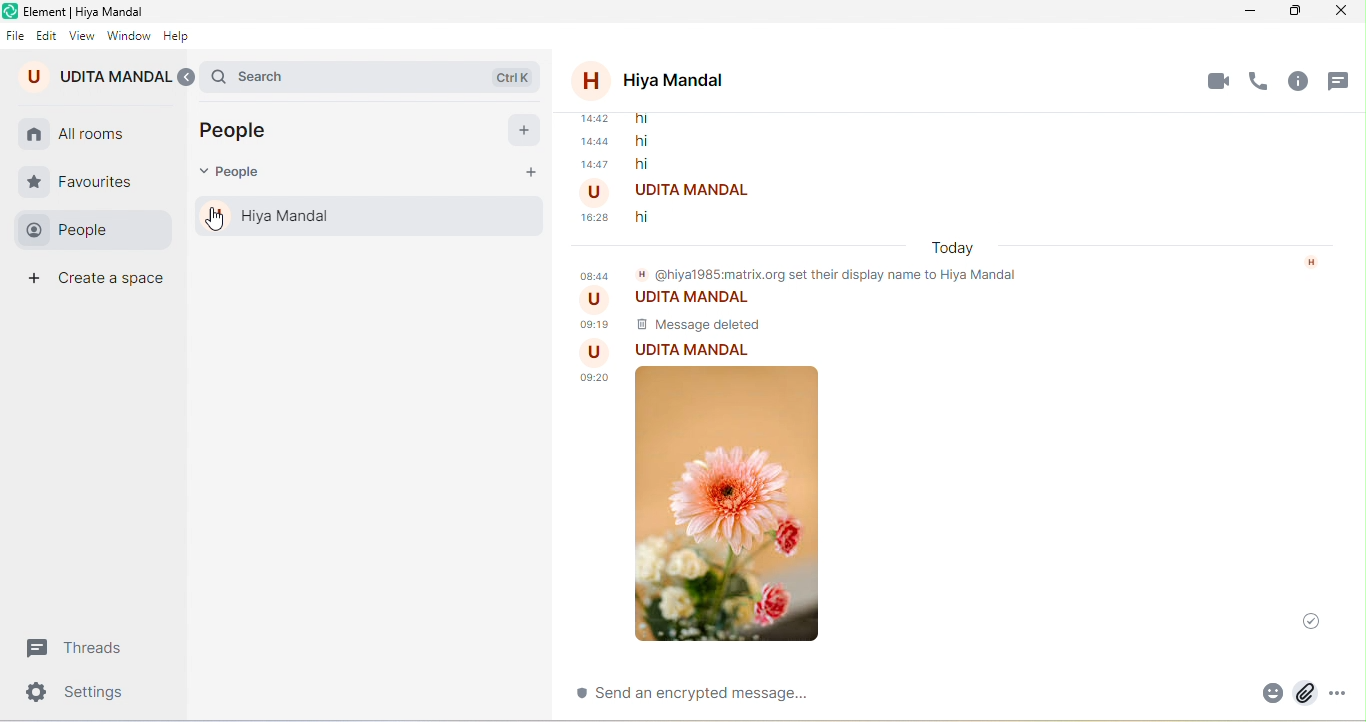 This screenshot has height=722, width=1366. What do you see at coordinates (1344, 84) in the screenshot?
I see `threads` at bounding box center [1344, 84].